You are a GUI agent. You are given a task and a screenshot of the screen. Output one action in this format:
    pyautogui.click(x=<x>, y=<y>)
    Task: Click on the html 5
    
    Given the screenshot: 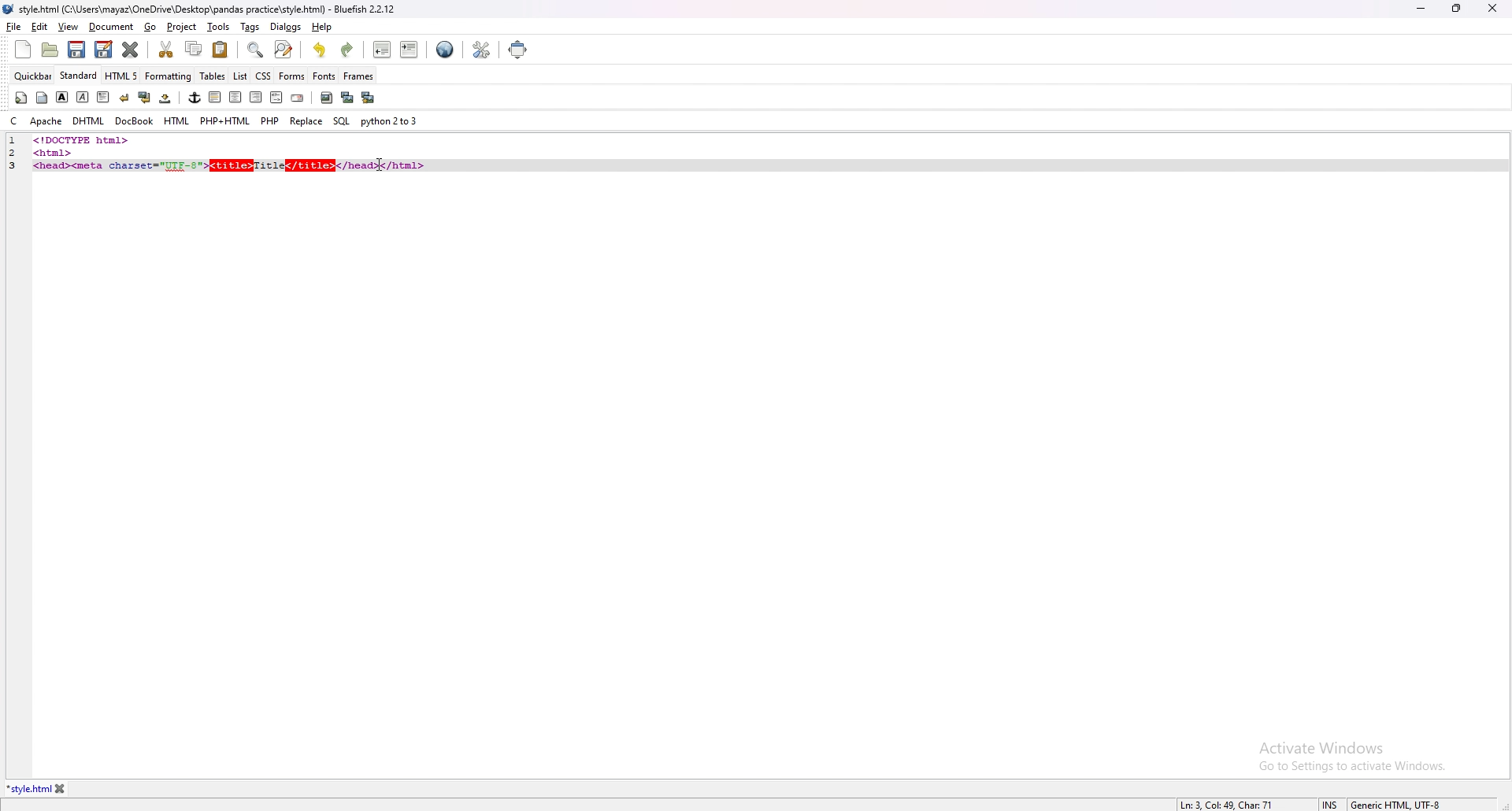 What is the action you would take?
    pyautogui.click(x=123, y=76)
    